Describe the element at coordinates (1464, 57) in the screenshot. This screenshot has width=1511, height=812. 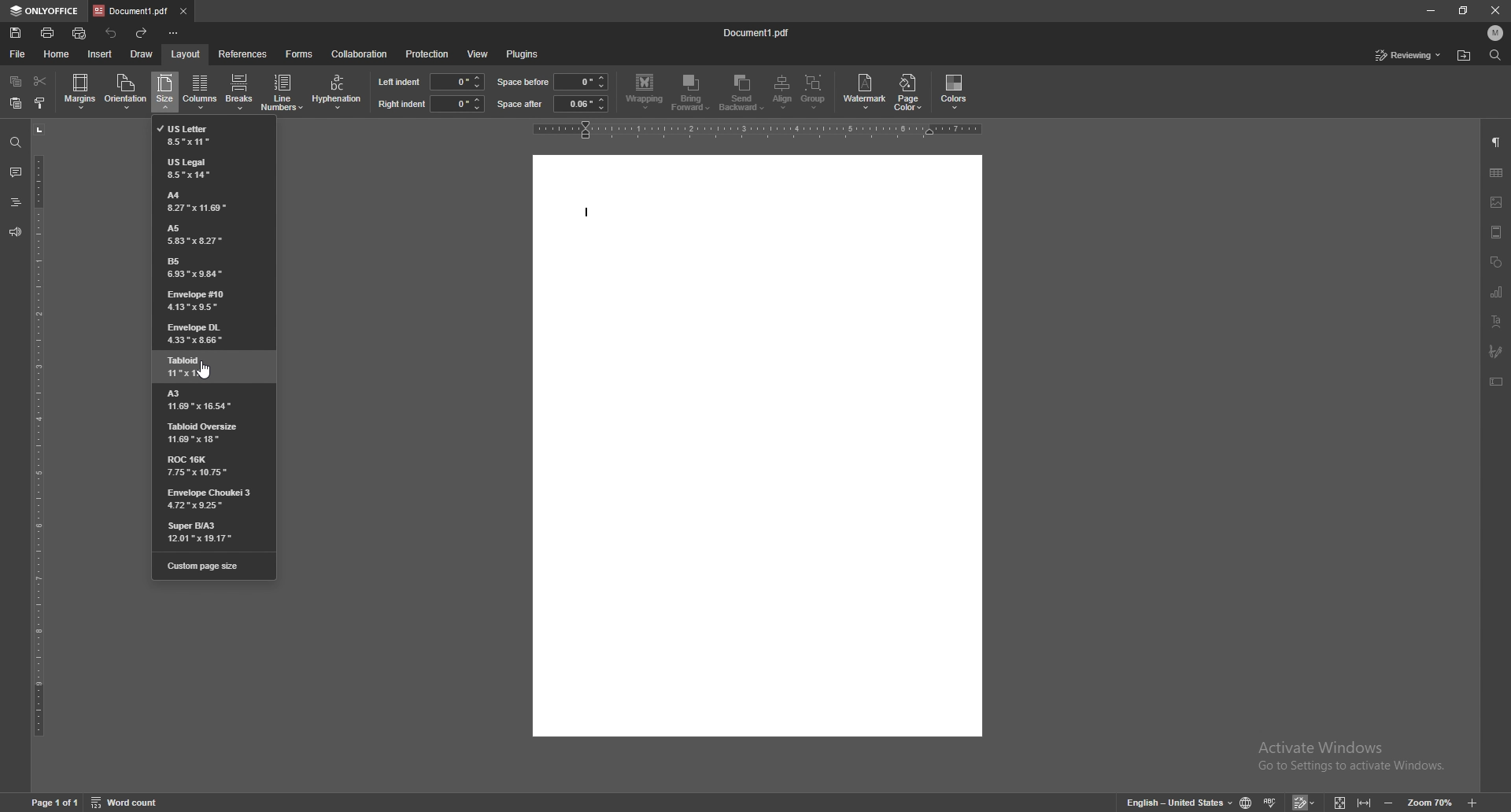
I see `locate file` at that location.